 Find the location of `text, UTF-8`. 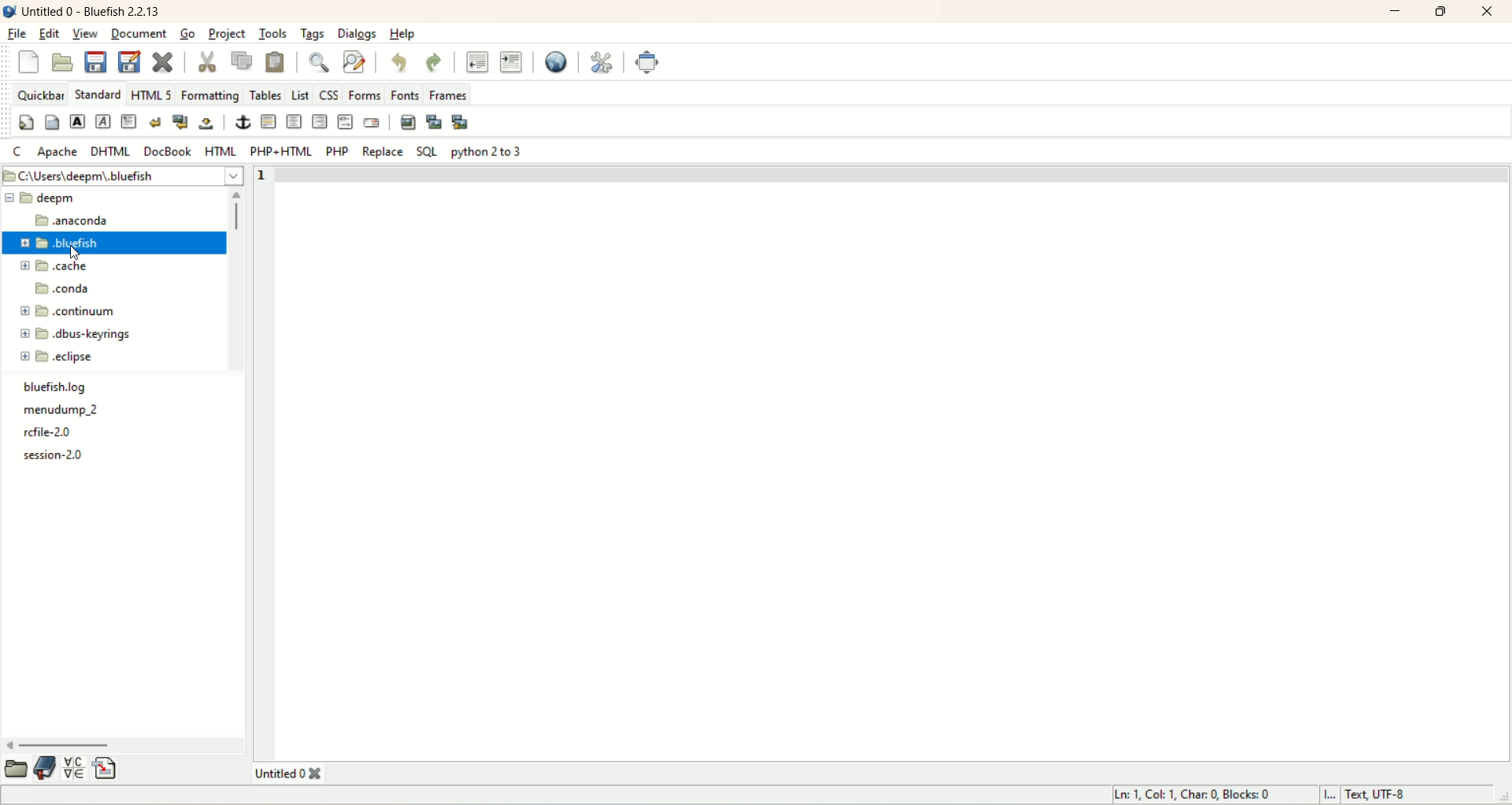

text, UTF-8 is located at coordinates (1386, 796).